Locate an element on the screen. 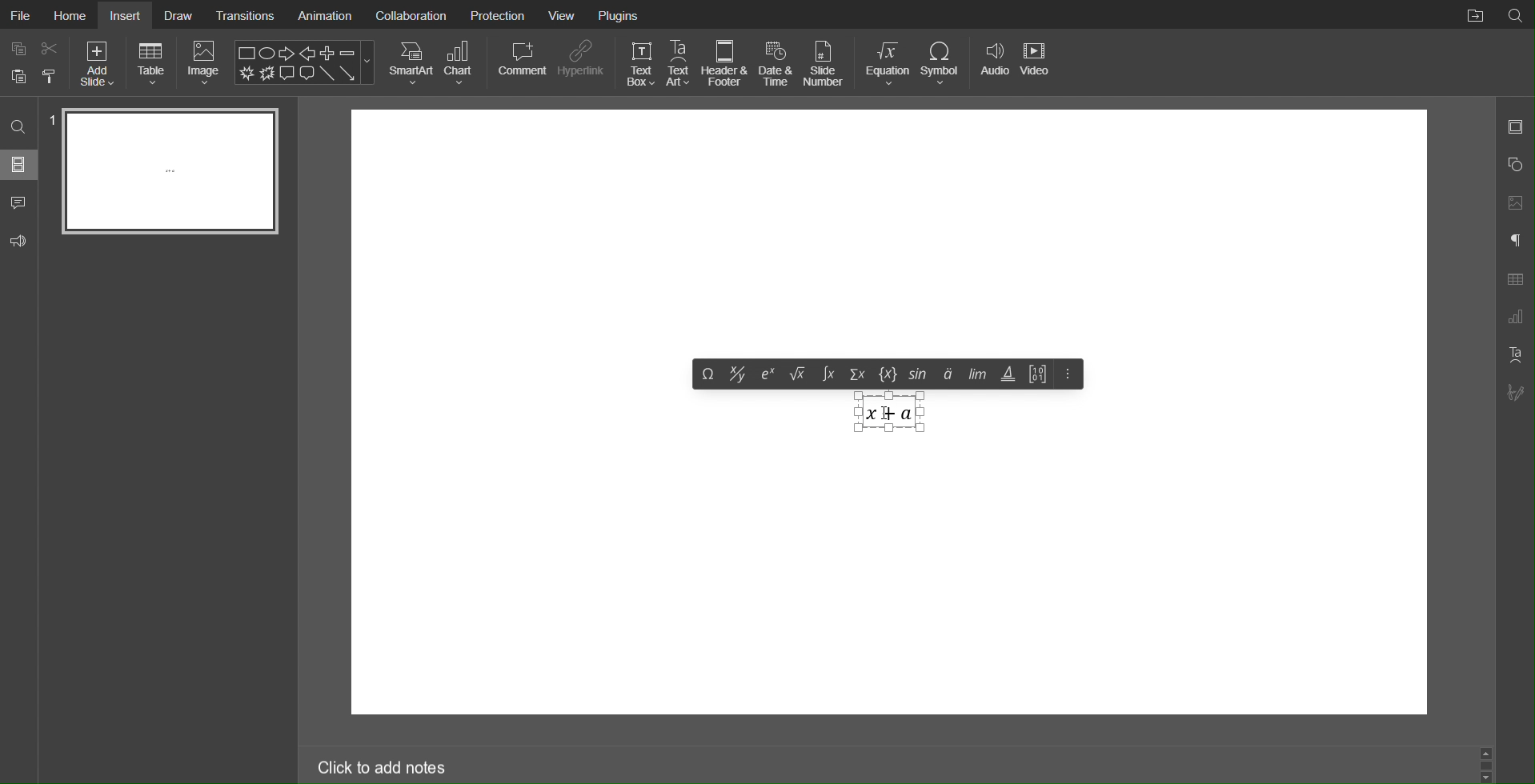 This screenshot has height=784, width=1535. SmartArt is located at coordinates (412, 62).